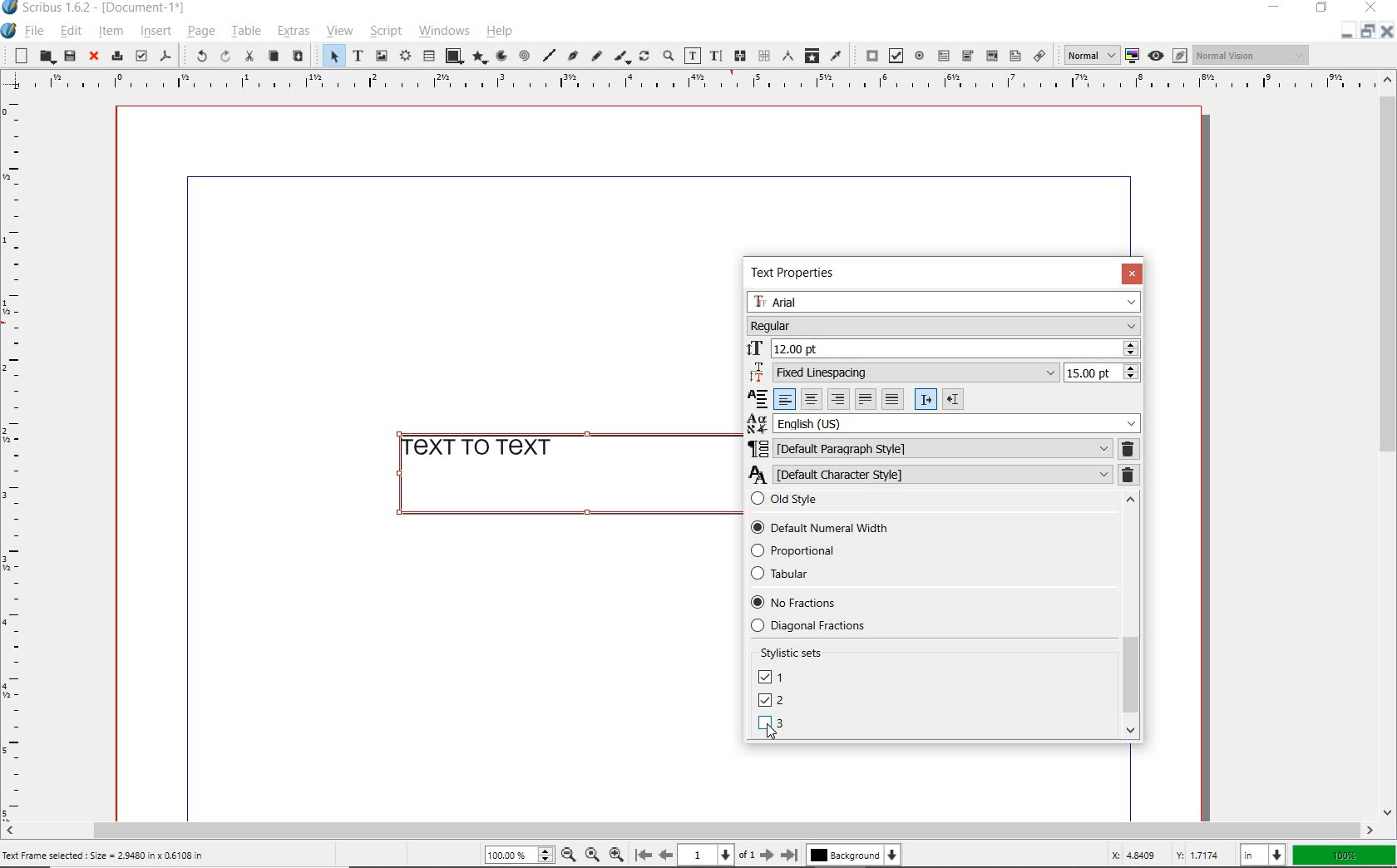 The image size is (1397, 868). What do you see at coordinates (293, 33) in the screenshot?
I see `extras` at bounding box center [293, 33].